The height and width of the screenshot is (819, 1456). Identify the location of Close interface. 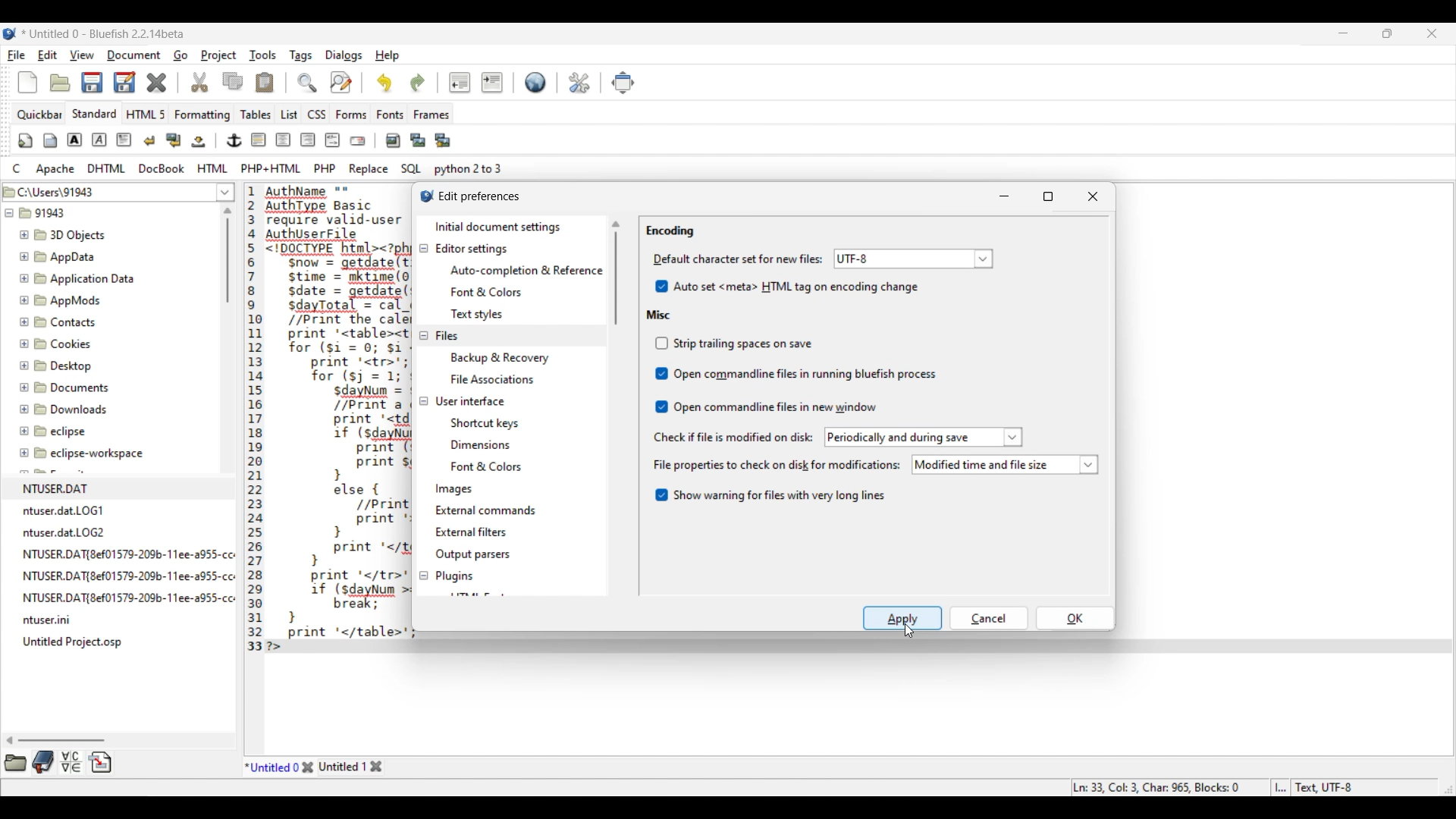
(1432, 33).